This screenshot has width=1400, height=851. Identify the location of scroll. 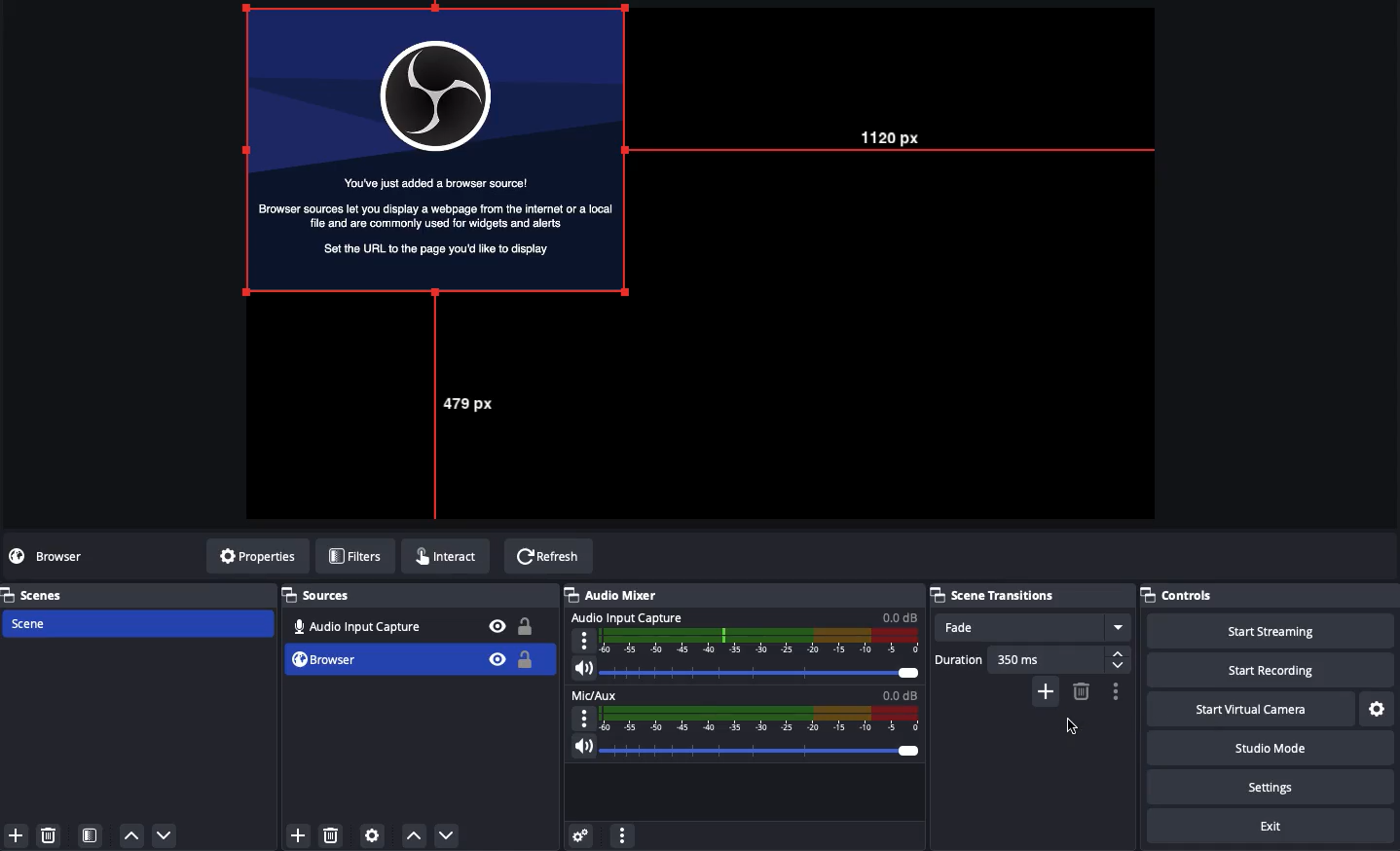
(1123, 656).